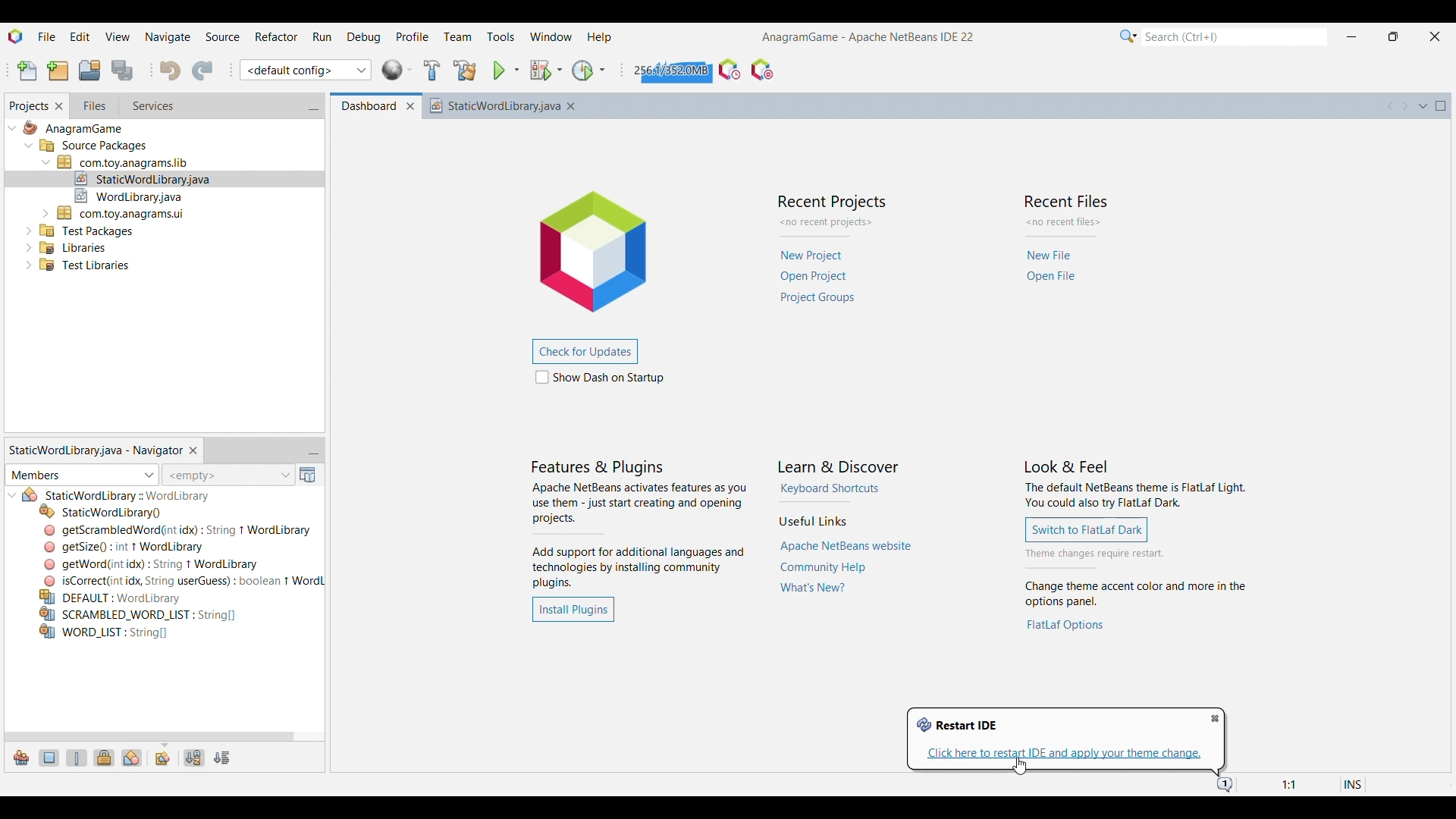 Image resolution: width=1456 pixels, height=819 pixels. I want to click on , so click(178, 530).